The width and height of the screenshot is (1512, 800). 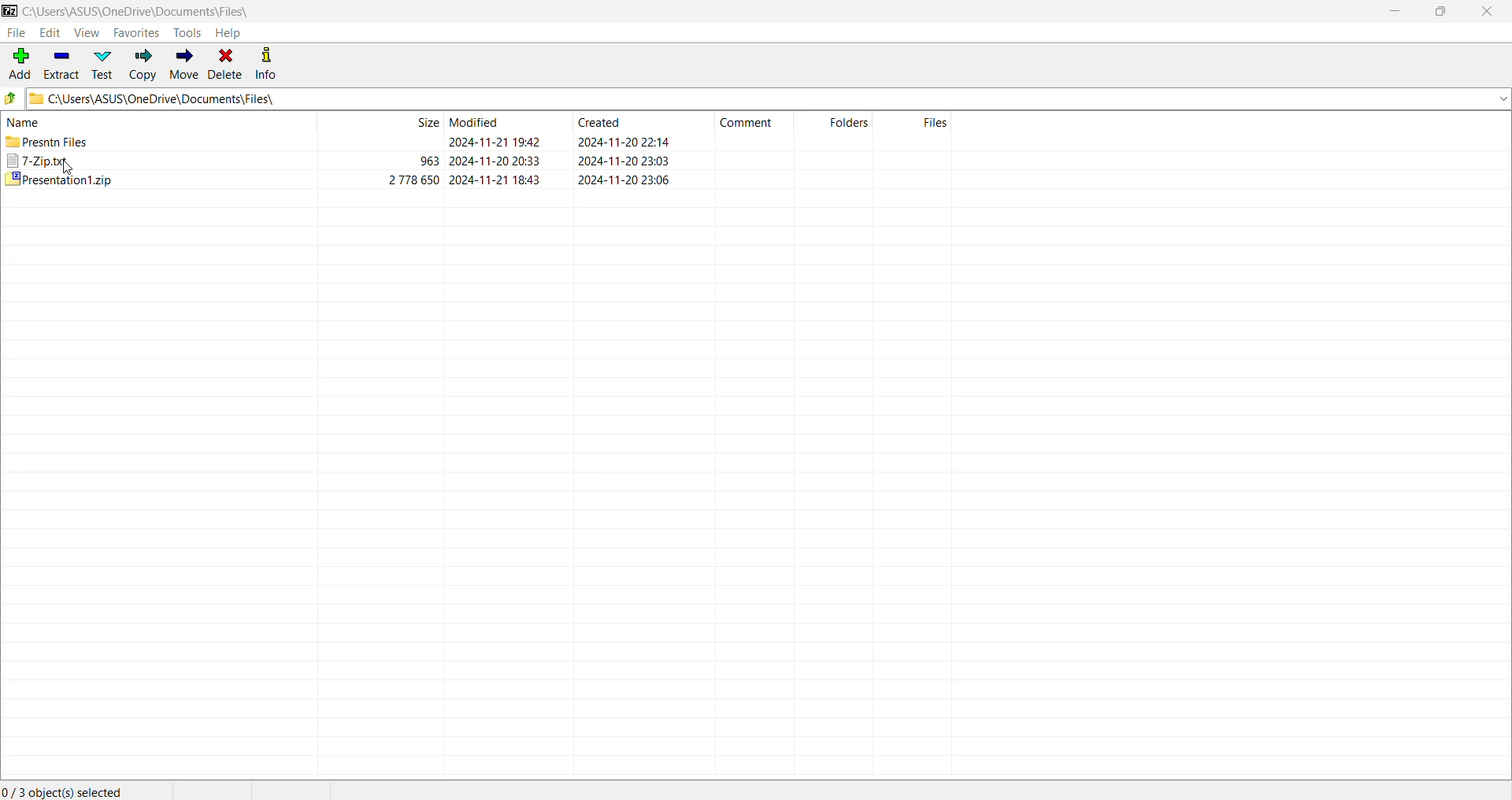 I want to click on Delete, so click(x=227, y=64).